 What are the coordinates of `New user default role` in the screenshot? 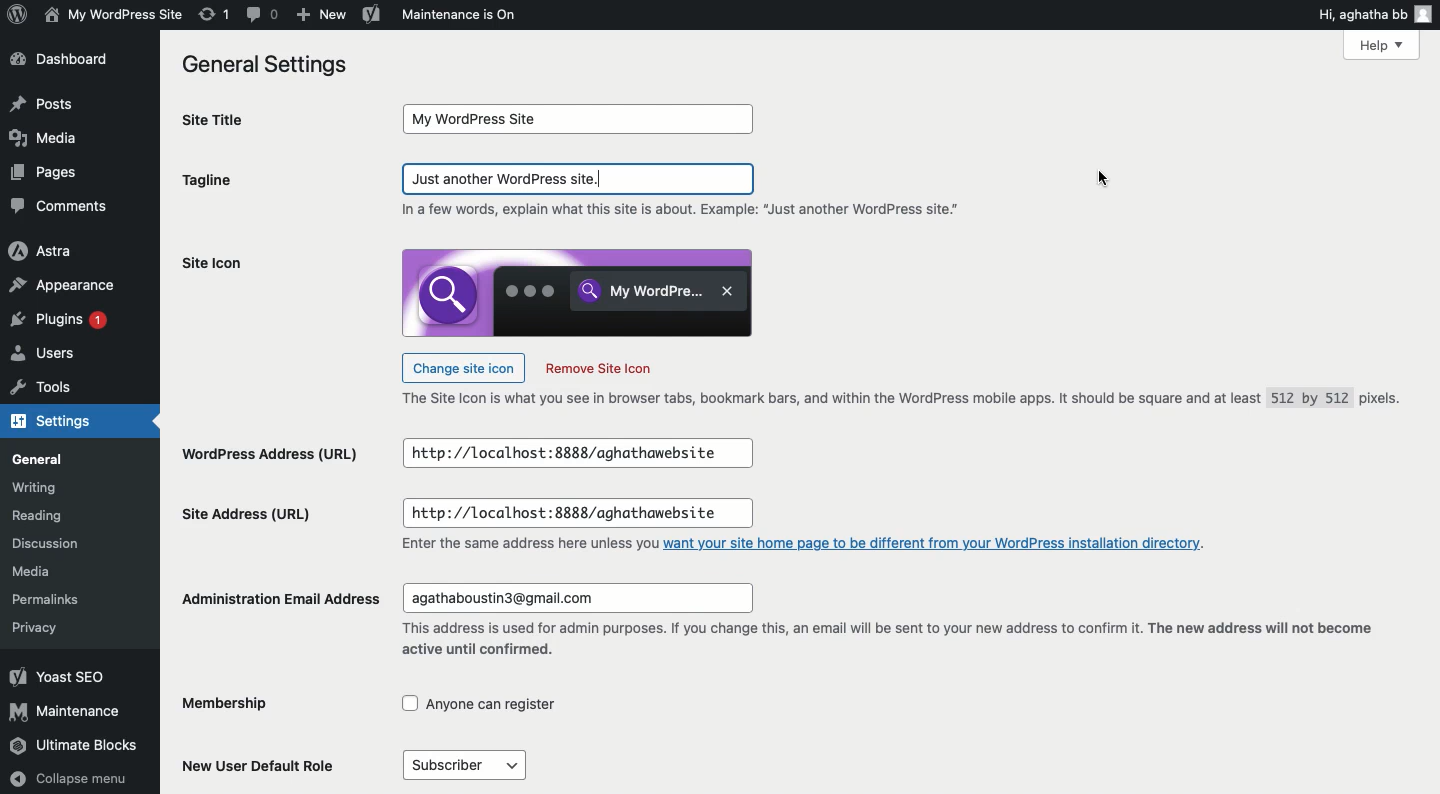 It's located at (264, 764).